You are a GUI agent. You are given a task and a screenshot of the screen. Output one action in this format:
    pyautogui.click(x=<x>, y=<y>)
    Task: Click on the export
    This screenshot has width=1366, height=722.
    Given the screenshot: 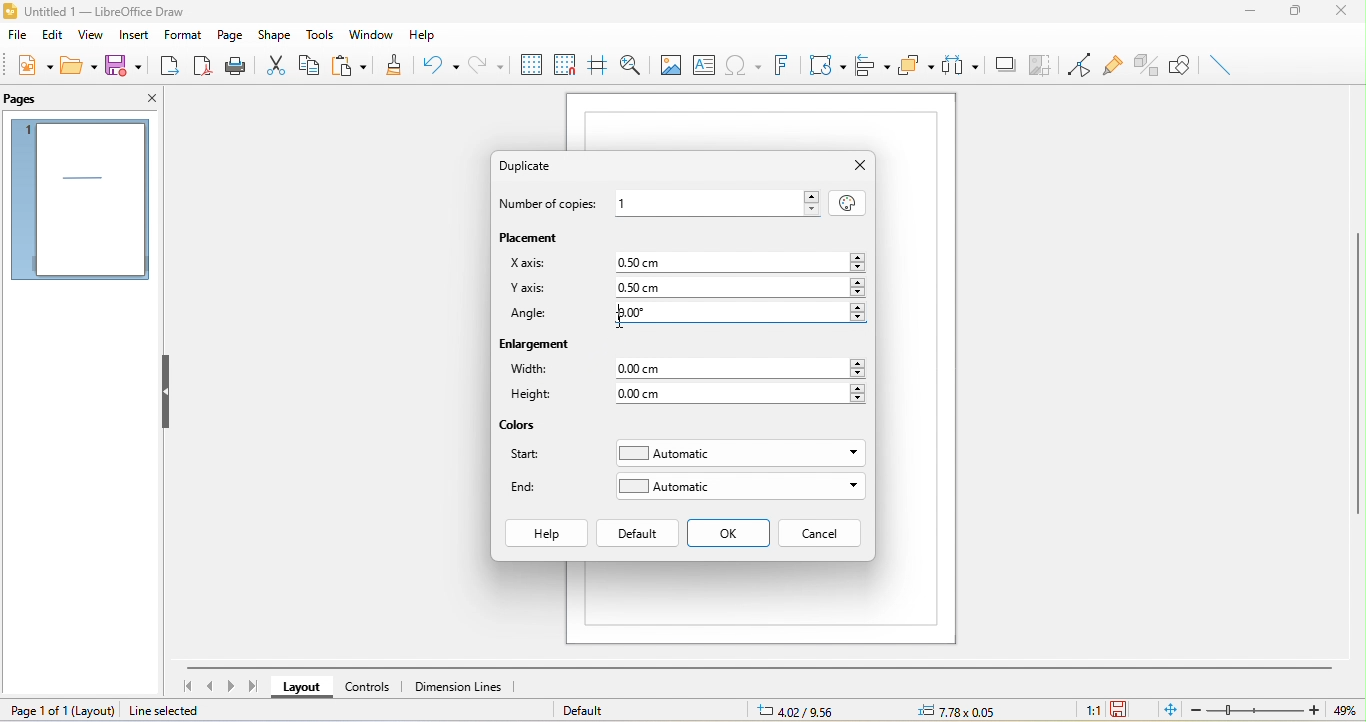 What is the action you would take?
    pyautogui.click(x=172, y=68)
    